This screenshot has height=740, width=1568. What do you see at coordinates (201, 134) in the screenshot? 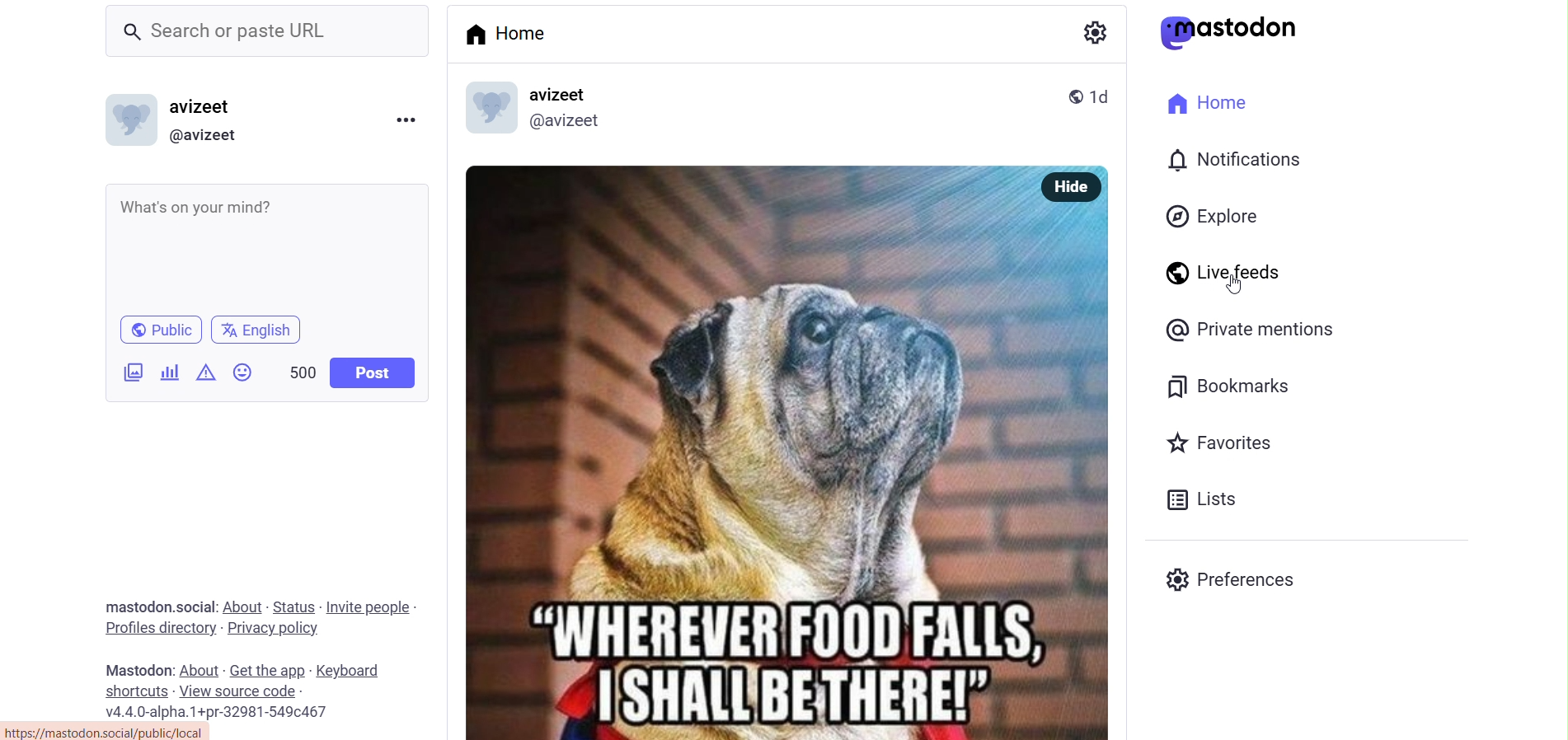
I see `id` at bounding box center [201, 134].